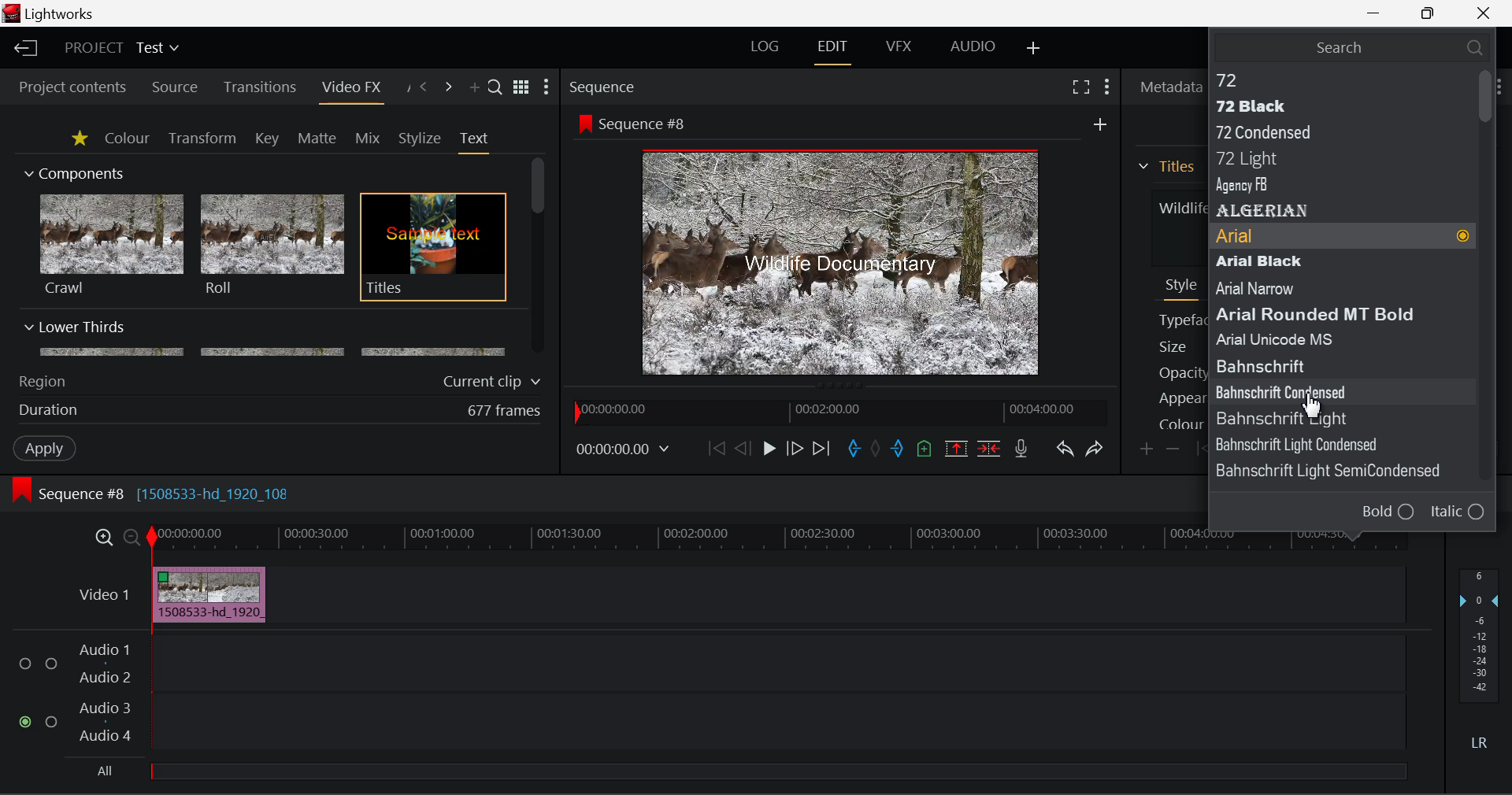  Describe the element at coordinates (779, 539) in the screenshot. I see `Project Timeline` at that location.